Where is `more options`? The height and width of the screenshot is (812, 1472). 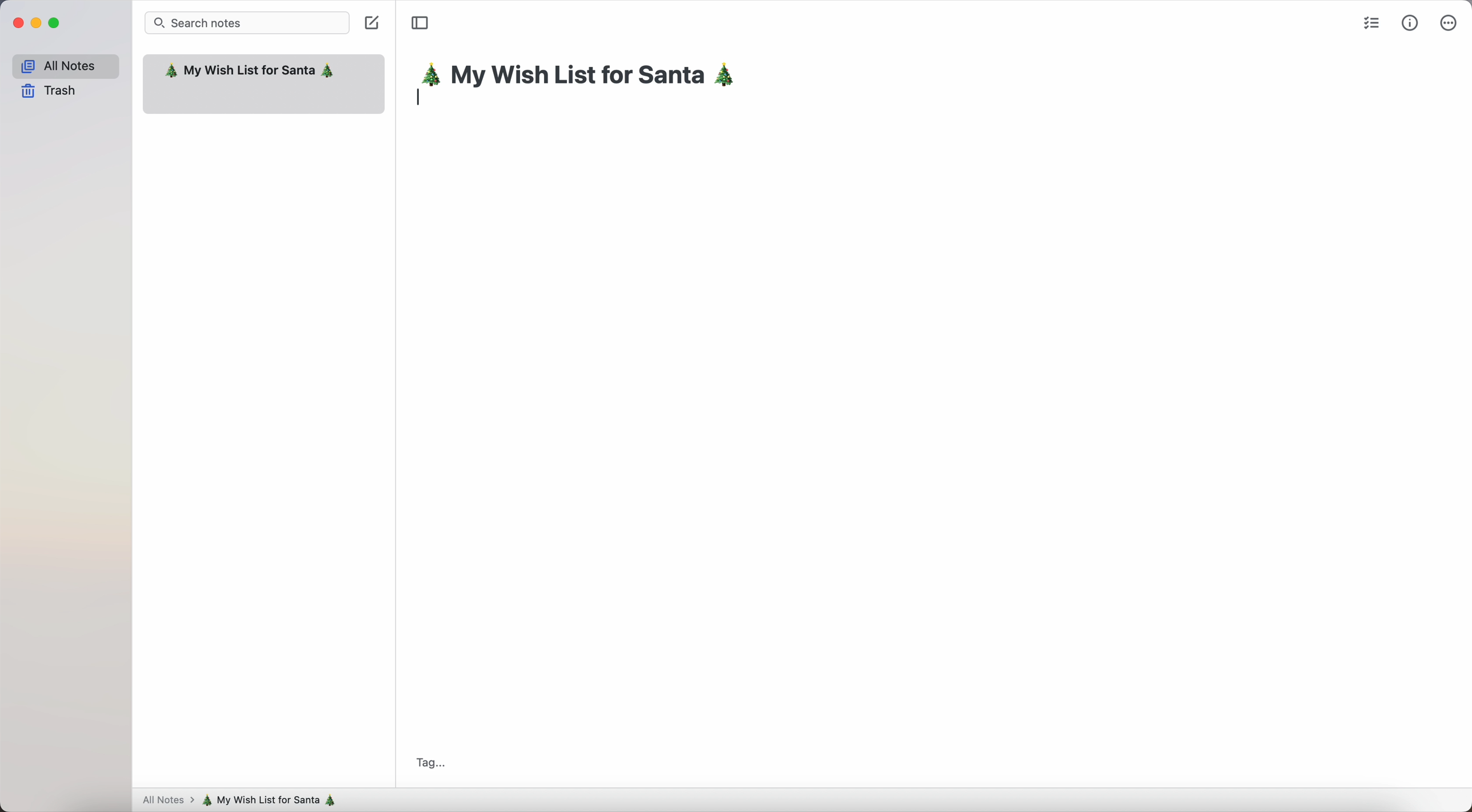
more options is located at coordinates (1448, 22).